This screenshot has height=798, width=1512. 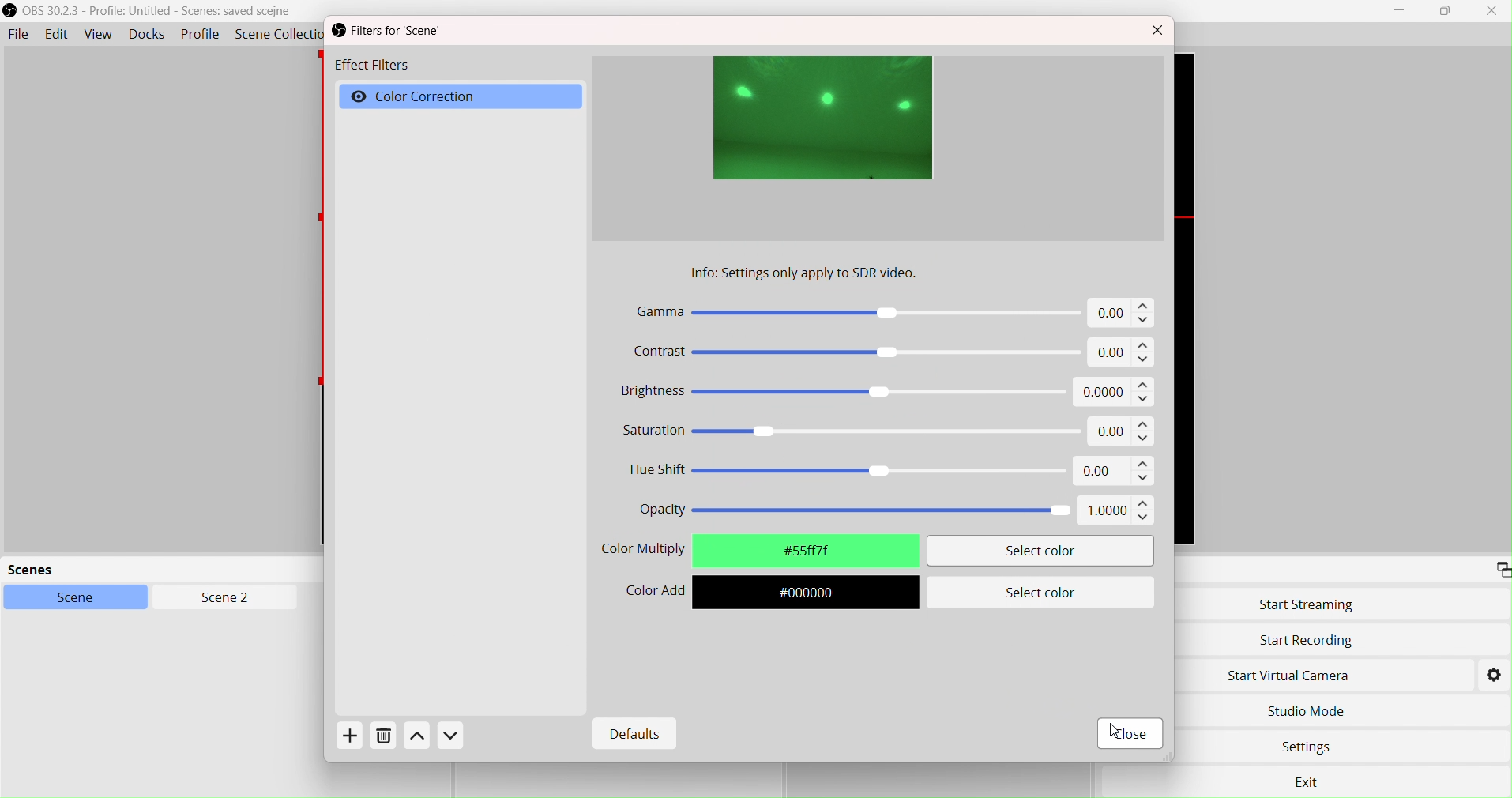 I want to click on box, so click(x=1448, y=12).